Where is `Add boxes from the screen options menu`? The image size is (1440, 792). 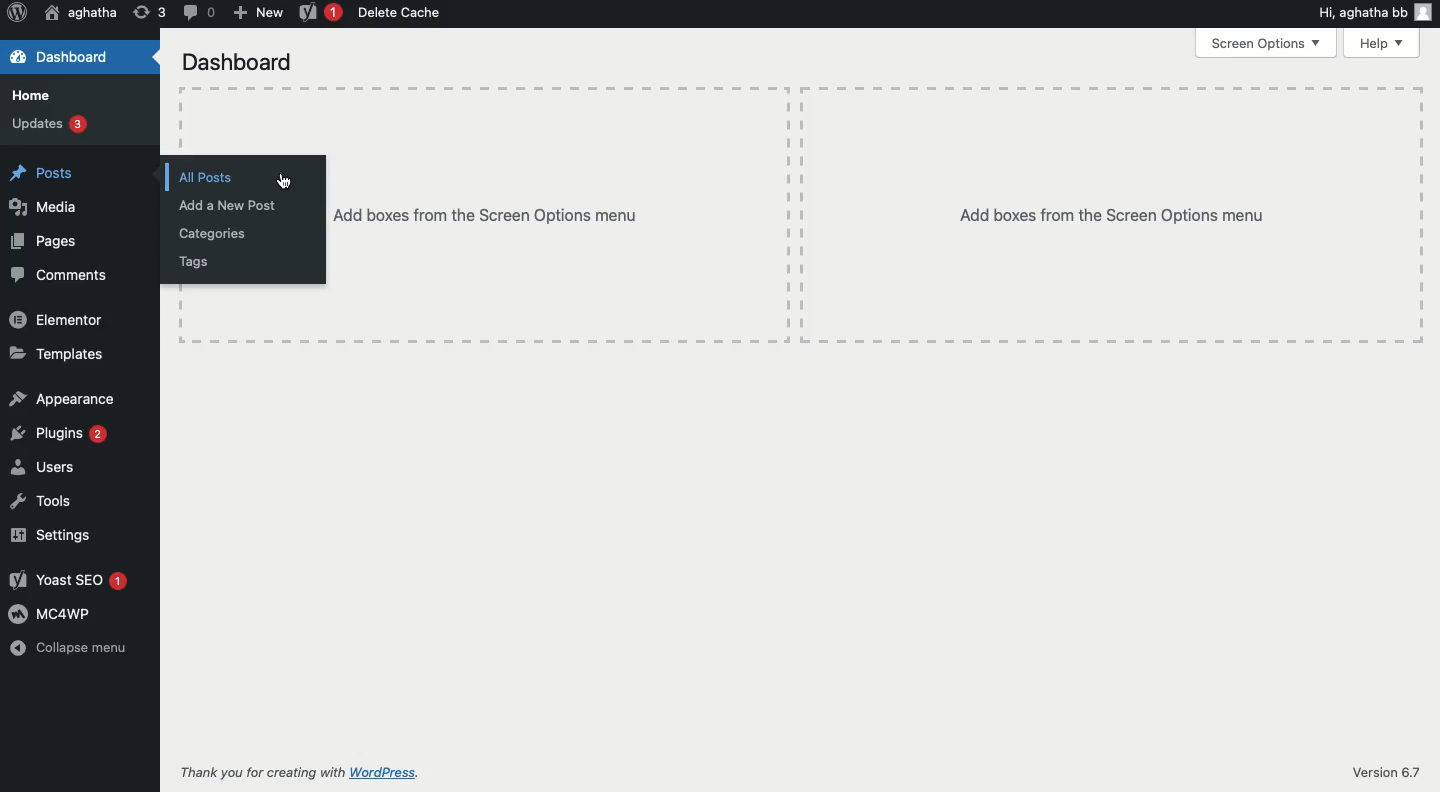
Add boxes from the screen options menu is located at coordinates (1104, 211).